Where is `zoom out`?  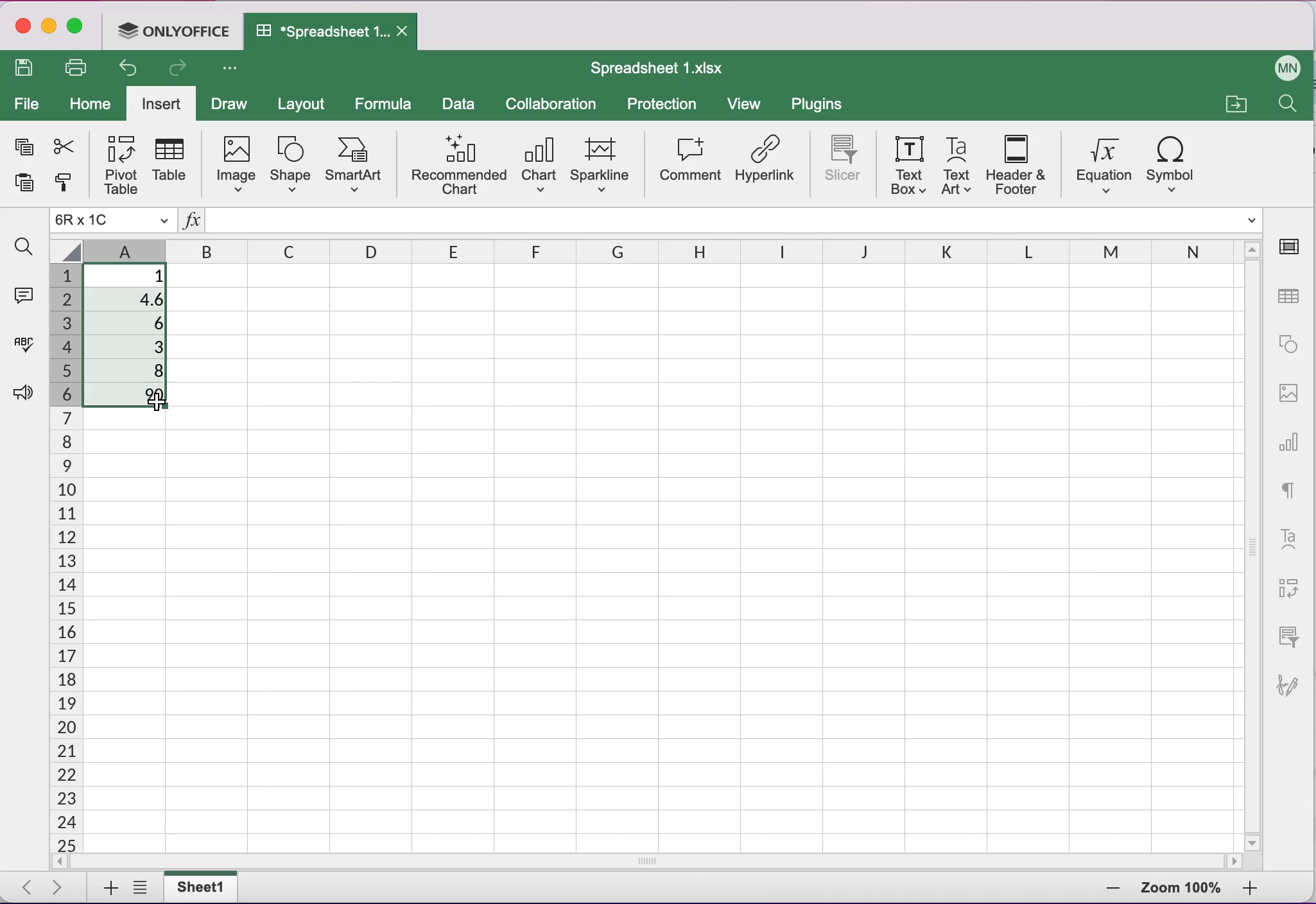
zoom out is located at coordinates (1105, 887).